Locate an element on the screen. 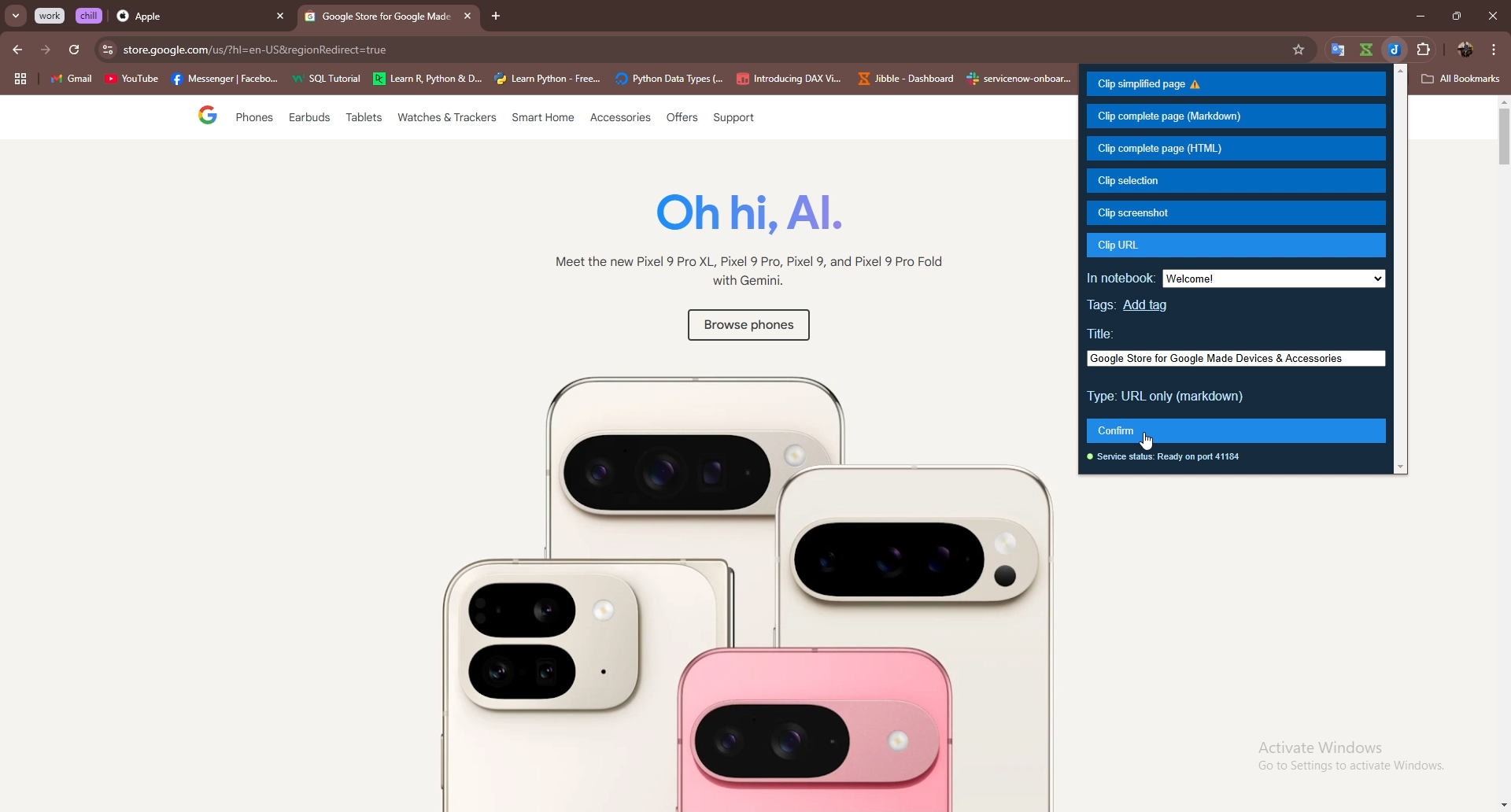  clip url is located at coordinates (1239, 245).